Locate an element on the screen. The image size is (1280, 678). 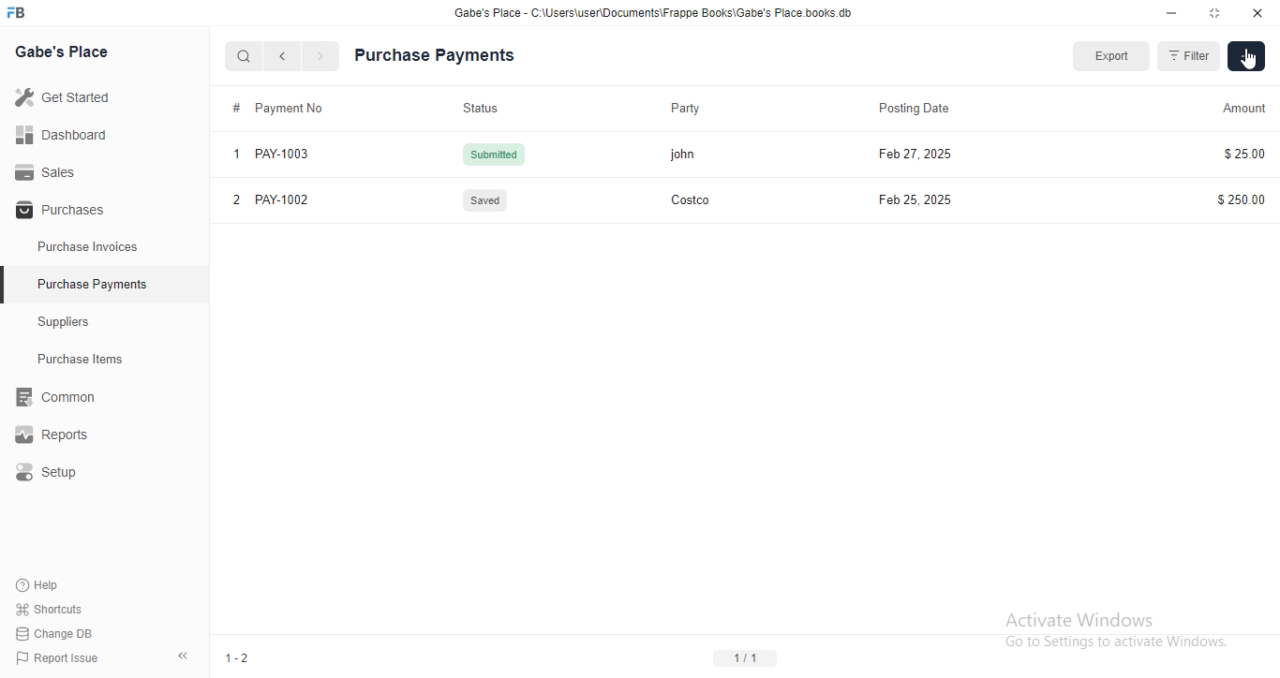
john is located at coordinates (682, 153).